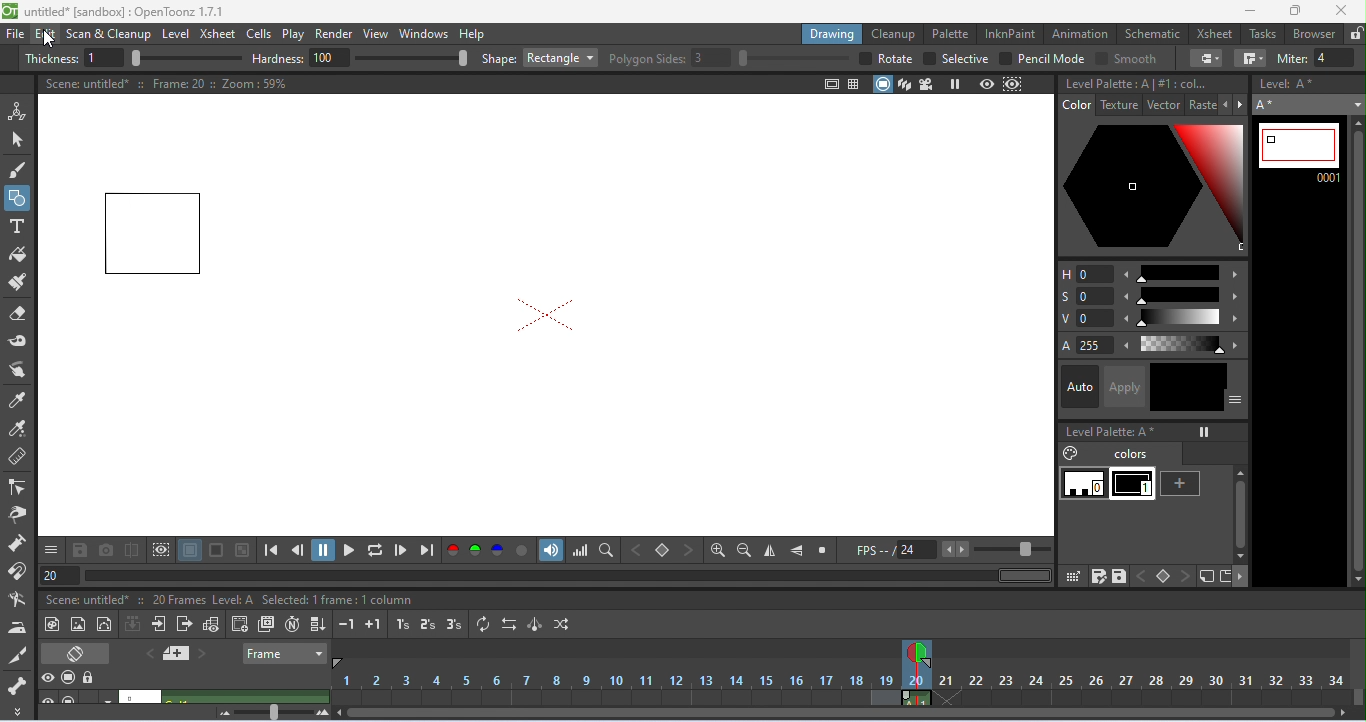 This screenshot has height=722, width=1366. What do you see at coordinates (189, 550) in the screenshot?
I see `white background` at bounding box center [189, 550].